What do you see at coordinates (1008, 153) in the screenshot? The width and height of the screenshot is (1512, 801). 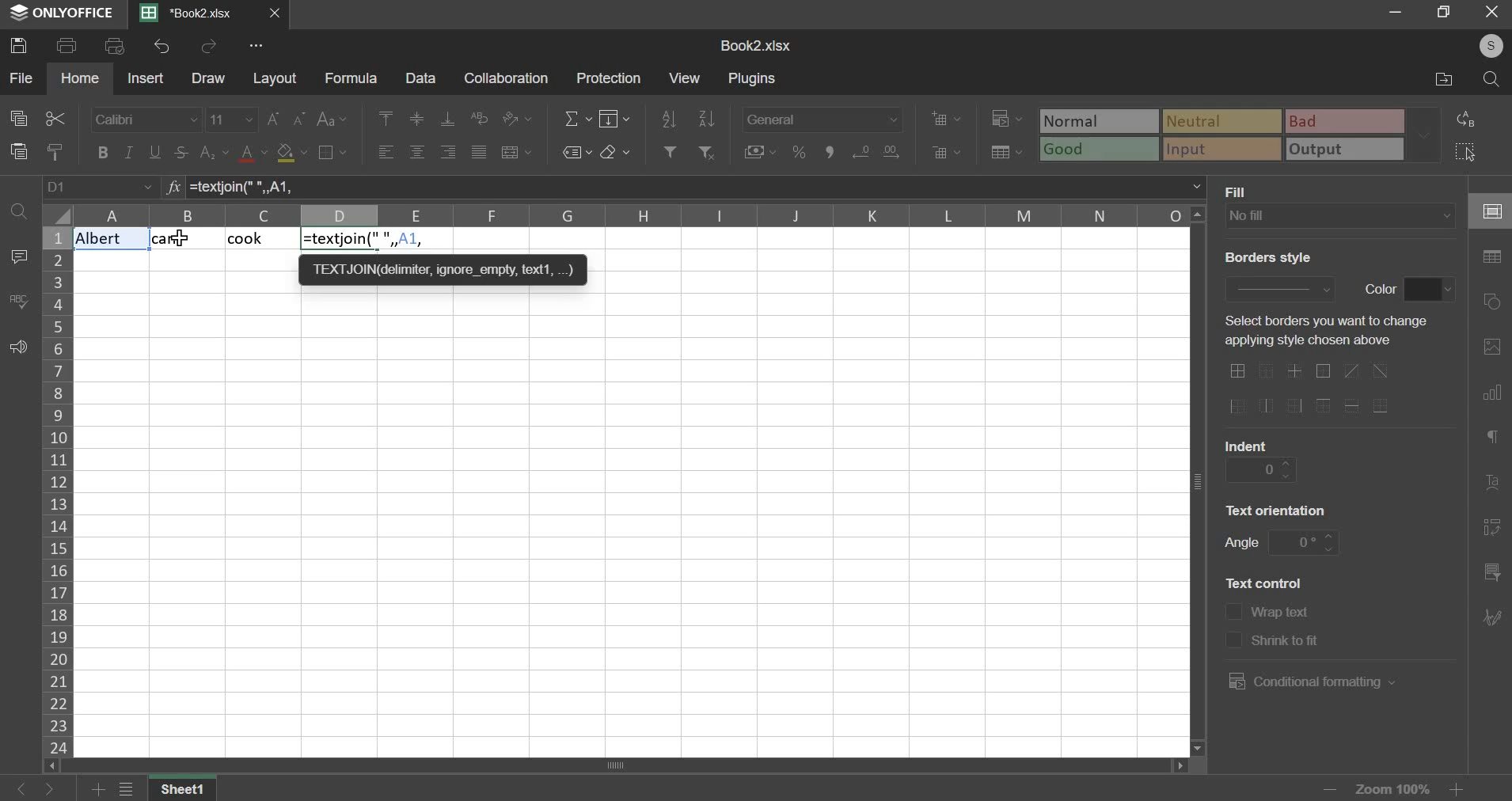 I see `save as table` at bounding box center [1008, 153].